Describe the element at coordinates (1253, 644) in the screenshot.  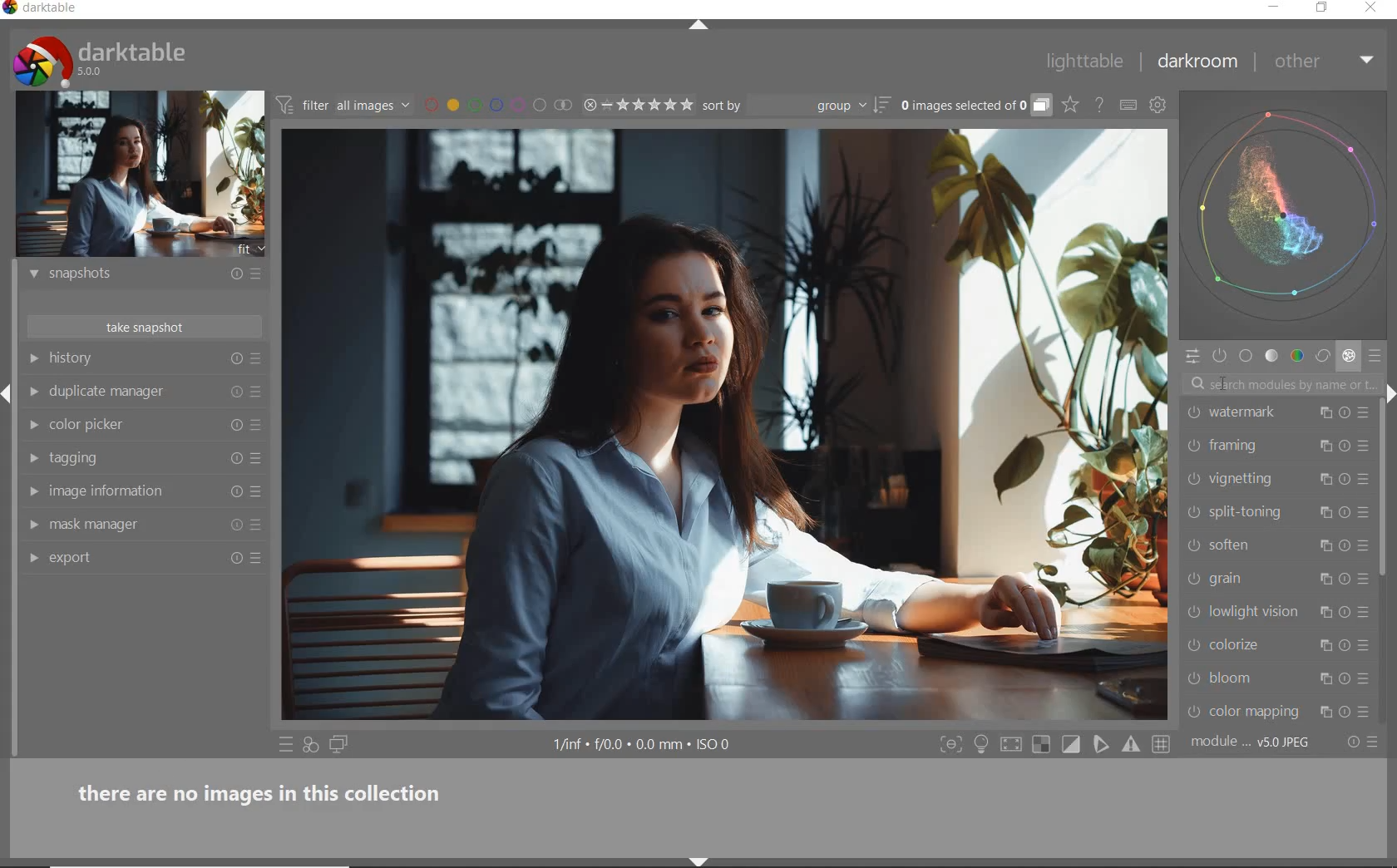
I see `colorize` at that location.